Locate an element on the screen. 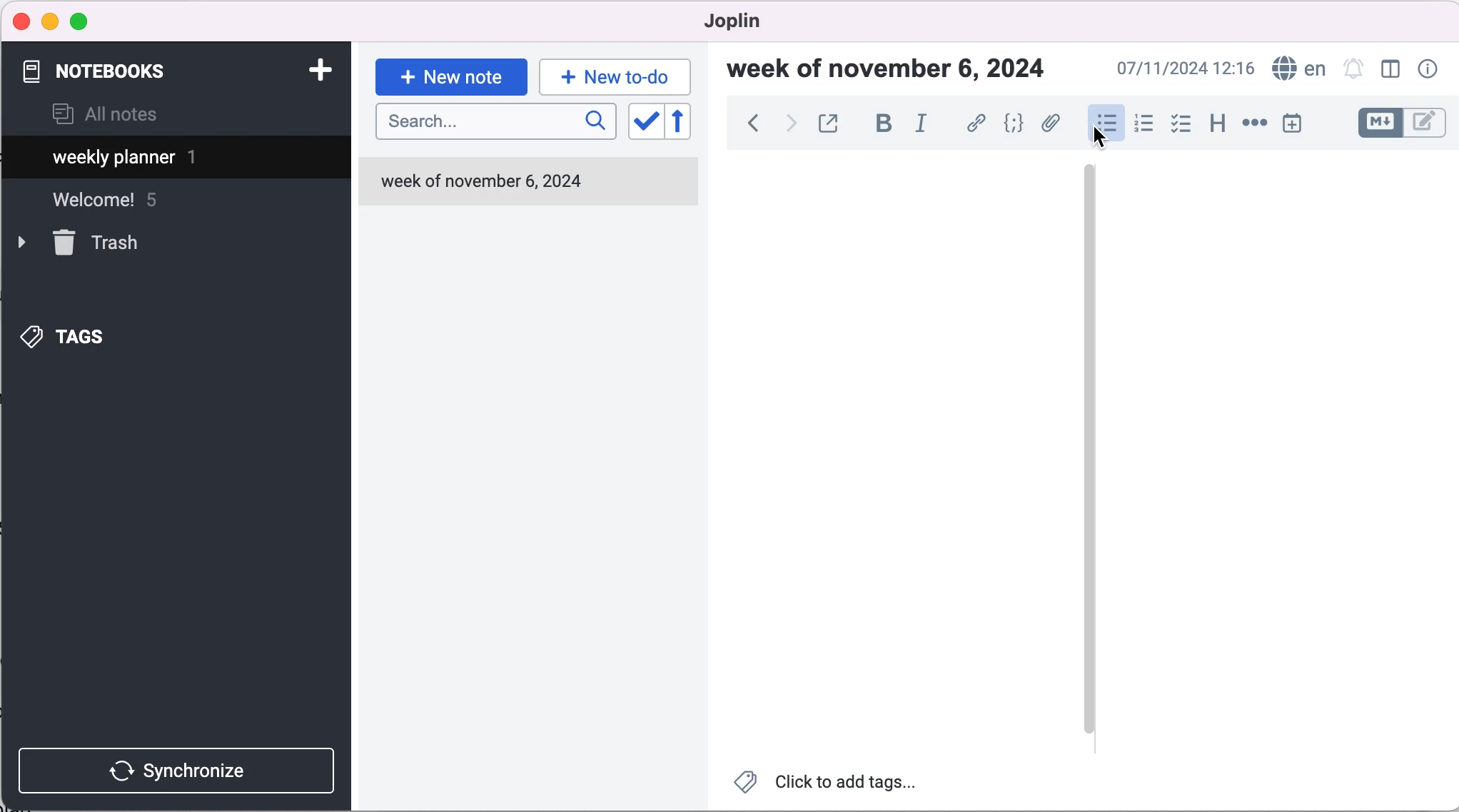  insert time is located at coordinates (1295, 123).